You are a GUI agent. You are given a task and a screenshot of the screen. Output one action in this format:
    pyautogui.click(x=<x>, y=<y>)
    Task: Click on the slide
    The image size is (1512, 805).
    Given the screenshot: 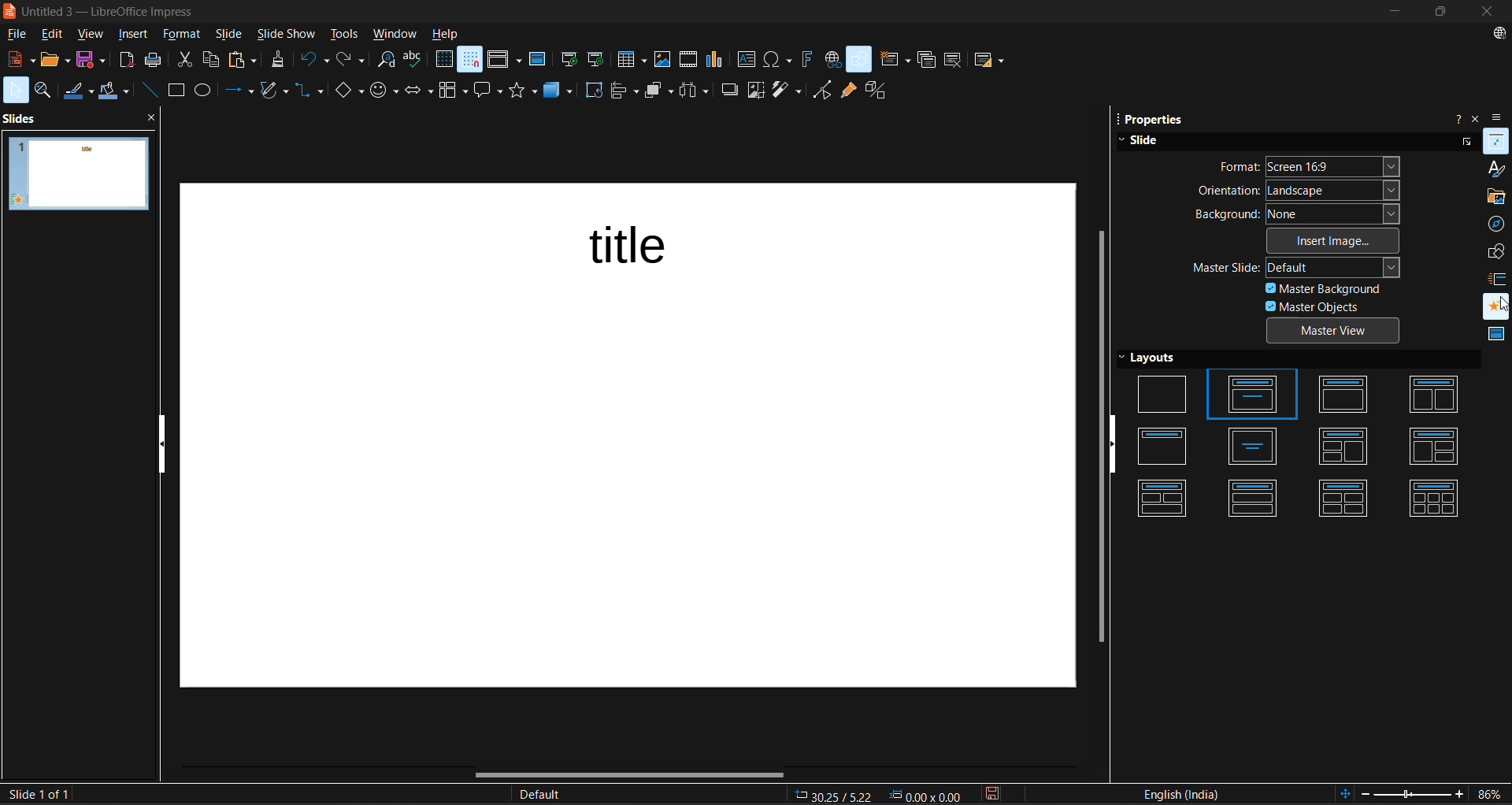 What is the action you would take?
    pyautogui.click(x=1139, y=140)
    